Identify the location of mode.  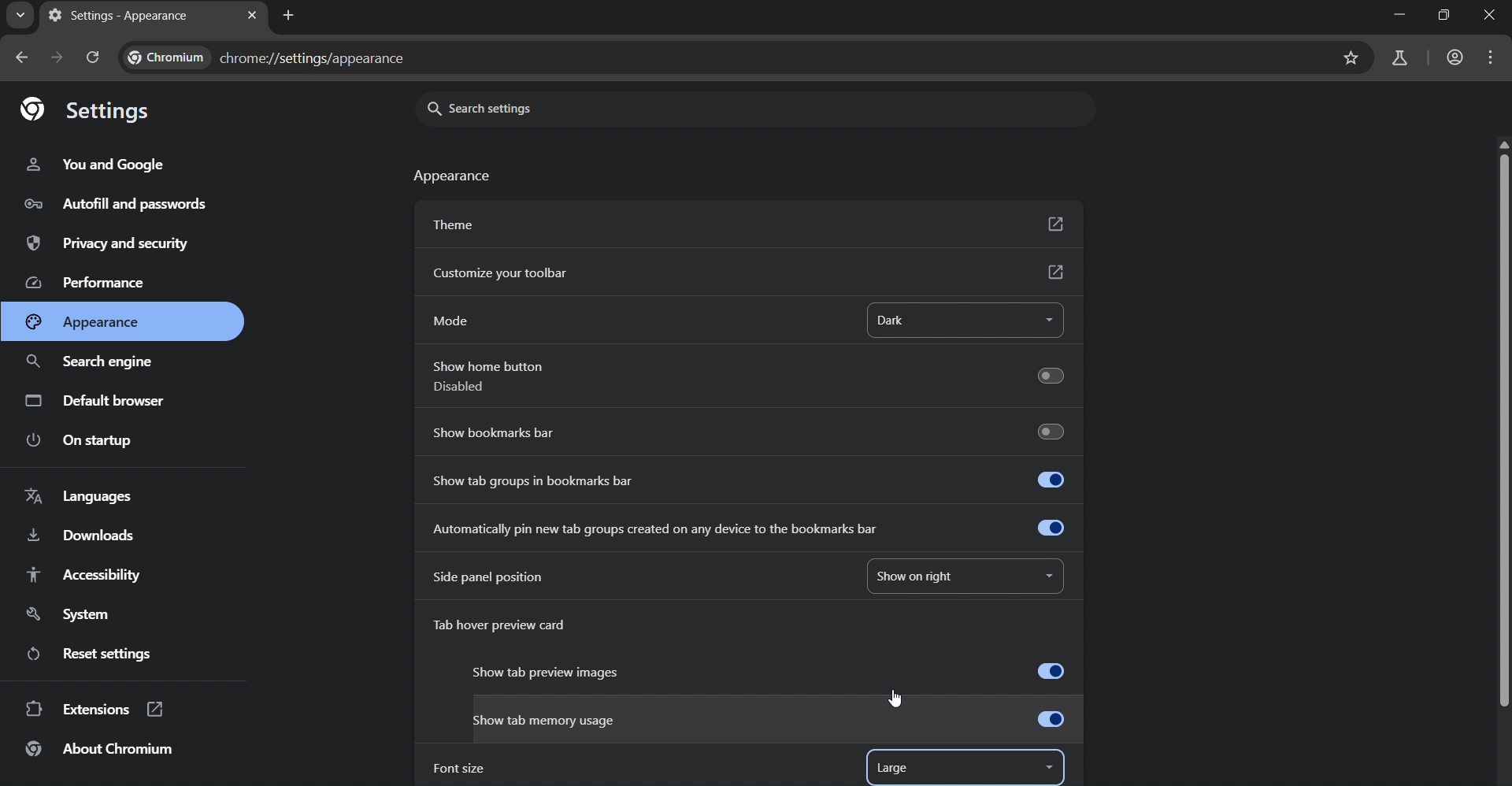
(454, 321).